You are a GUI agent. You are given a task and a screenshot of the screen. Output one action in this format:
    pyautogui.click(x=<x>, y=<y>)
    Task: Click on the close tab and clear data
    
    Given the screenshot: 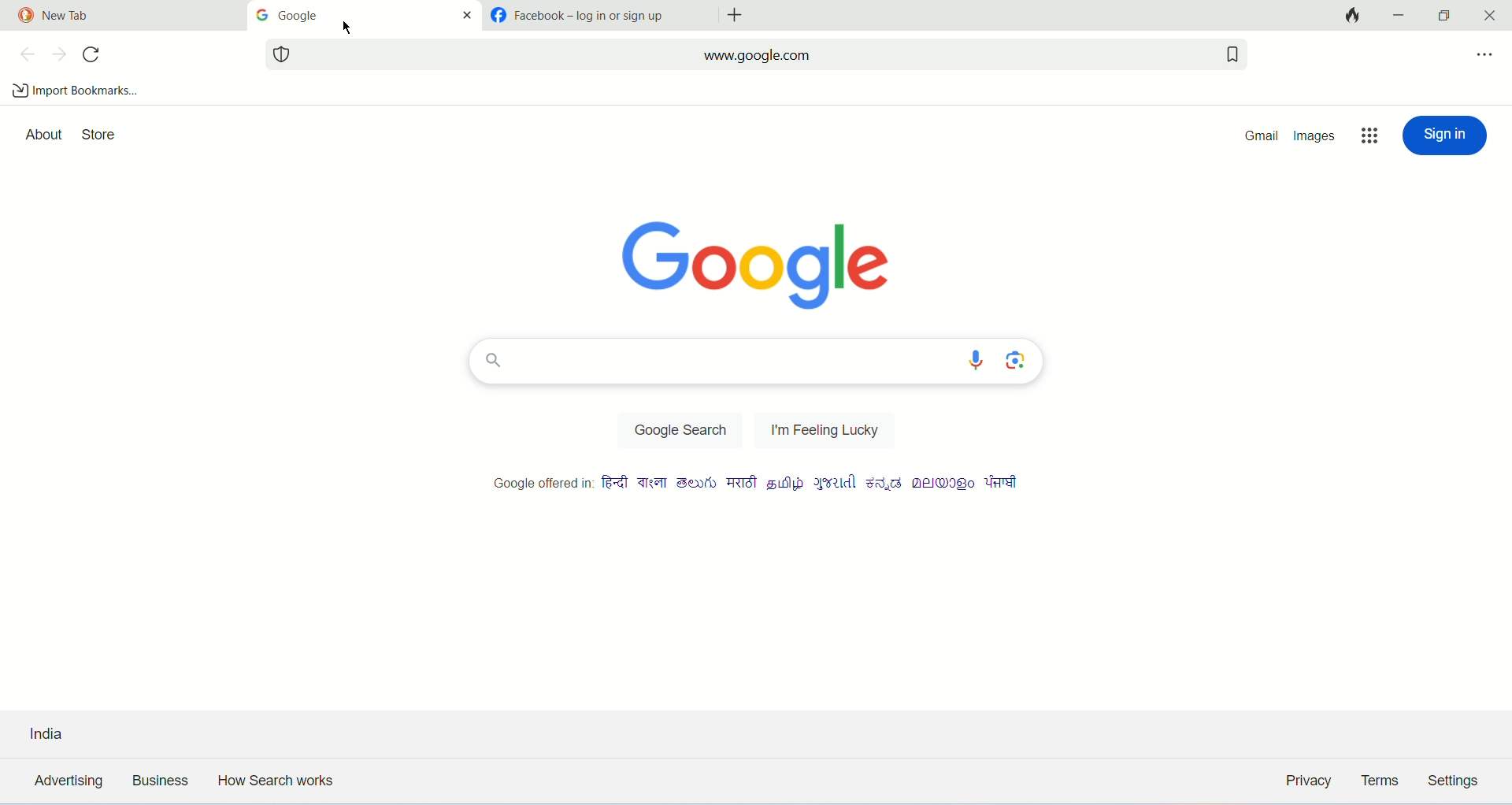 What is the action you would take?
    pyautogui.click(x=1354, y=15)
    